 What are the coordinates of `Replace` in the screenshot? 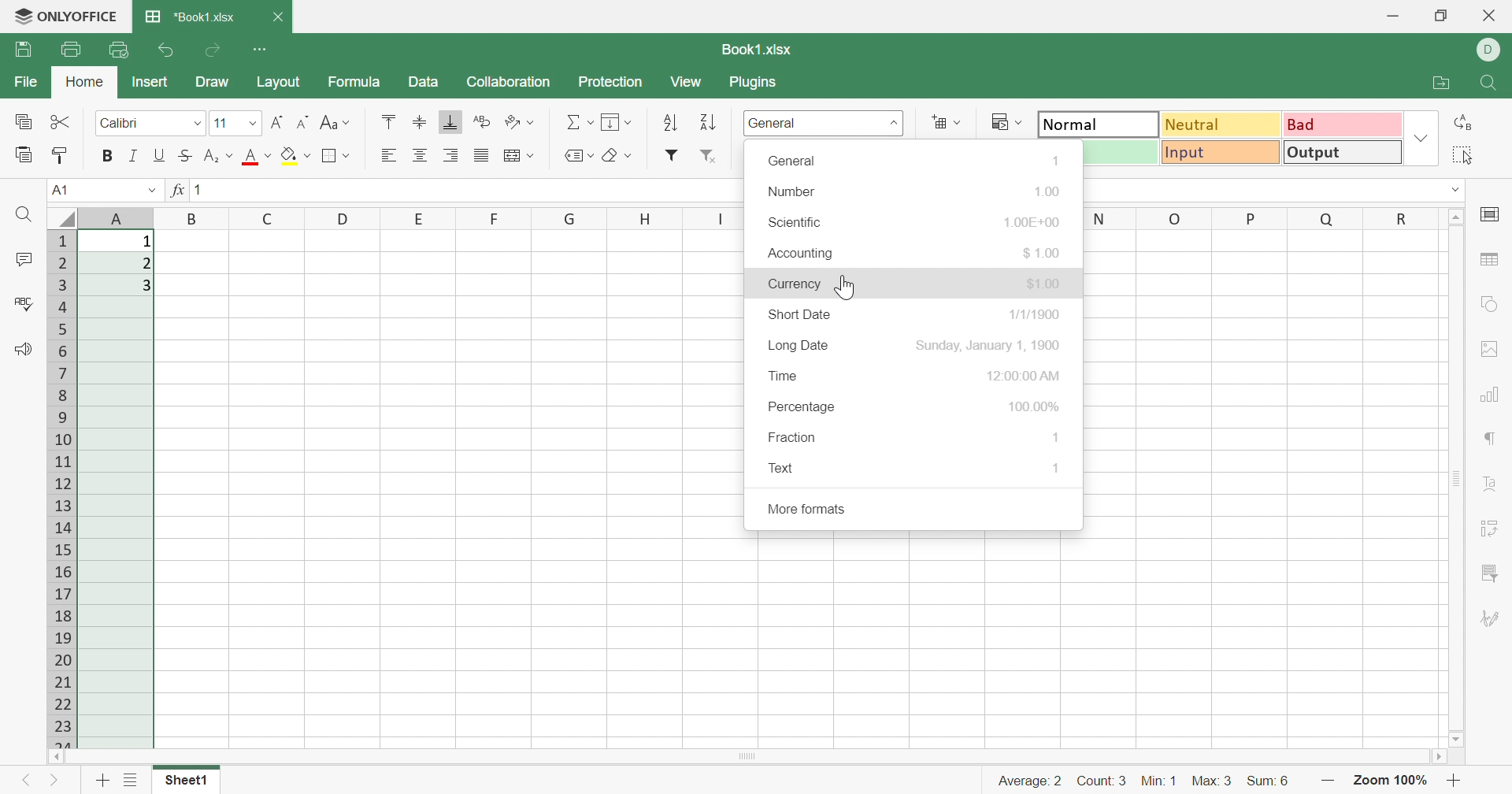 It's located at (1466, 122).